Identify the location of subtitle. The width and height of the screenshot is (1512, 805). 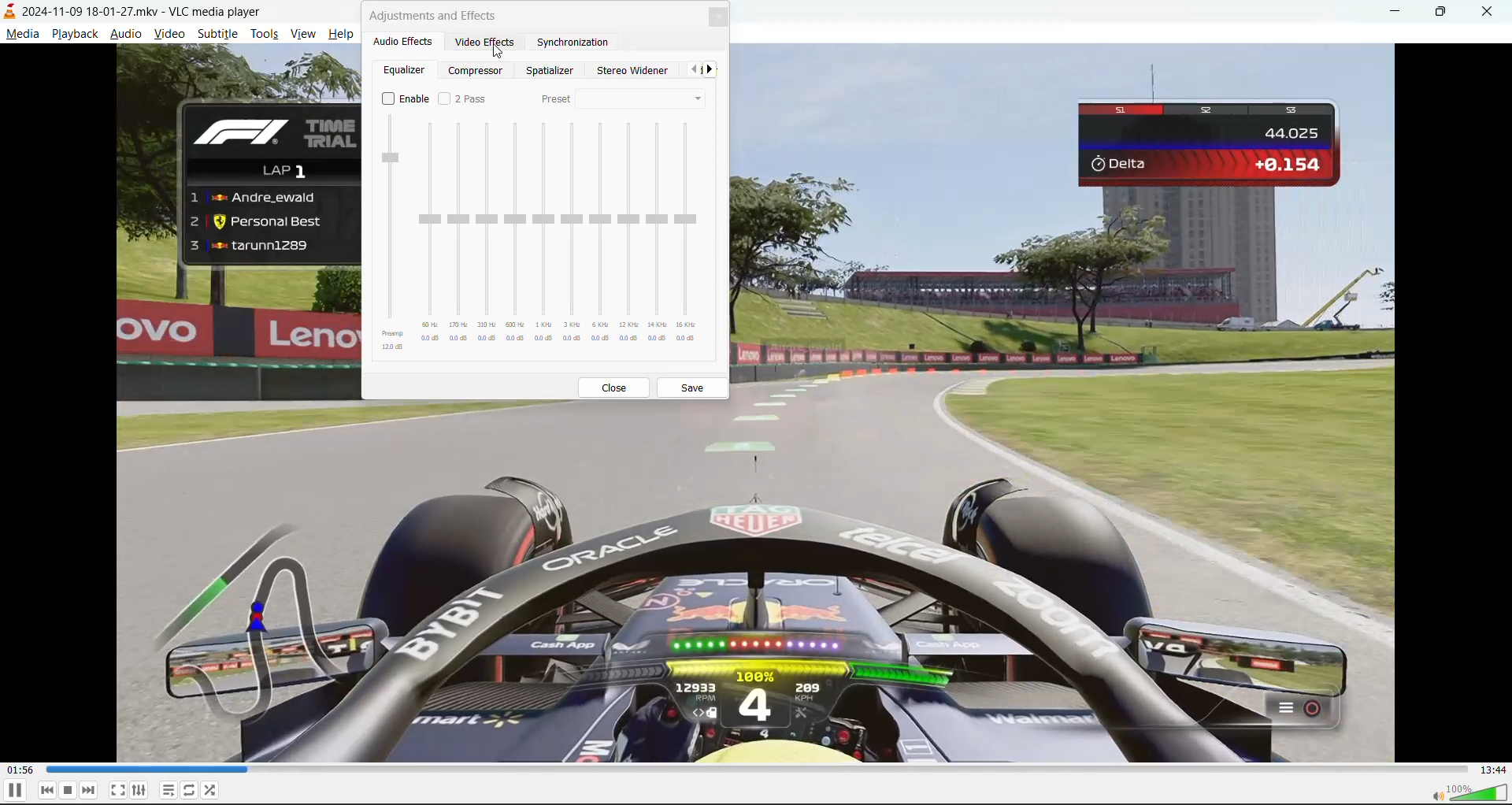
(216, 35).